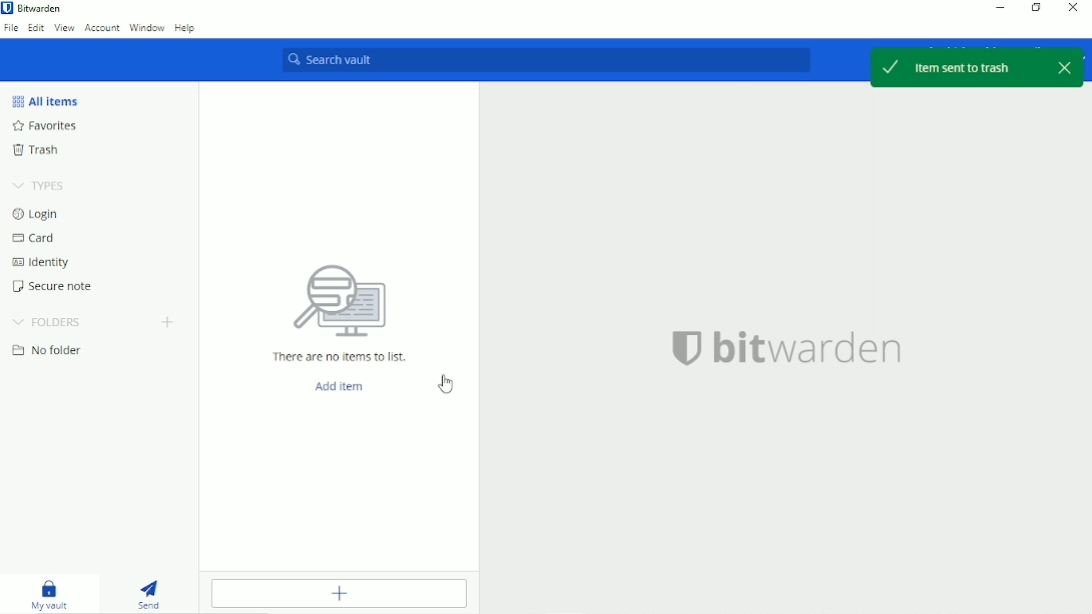  I want to click on Card, so click(35, 238).